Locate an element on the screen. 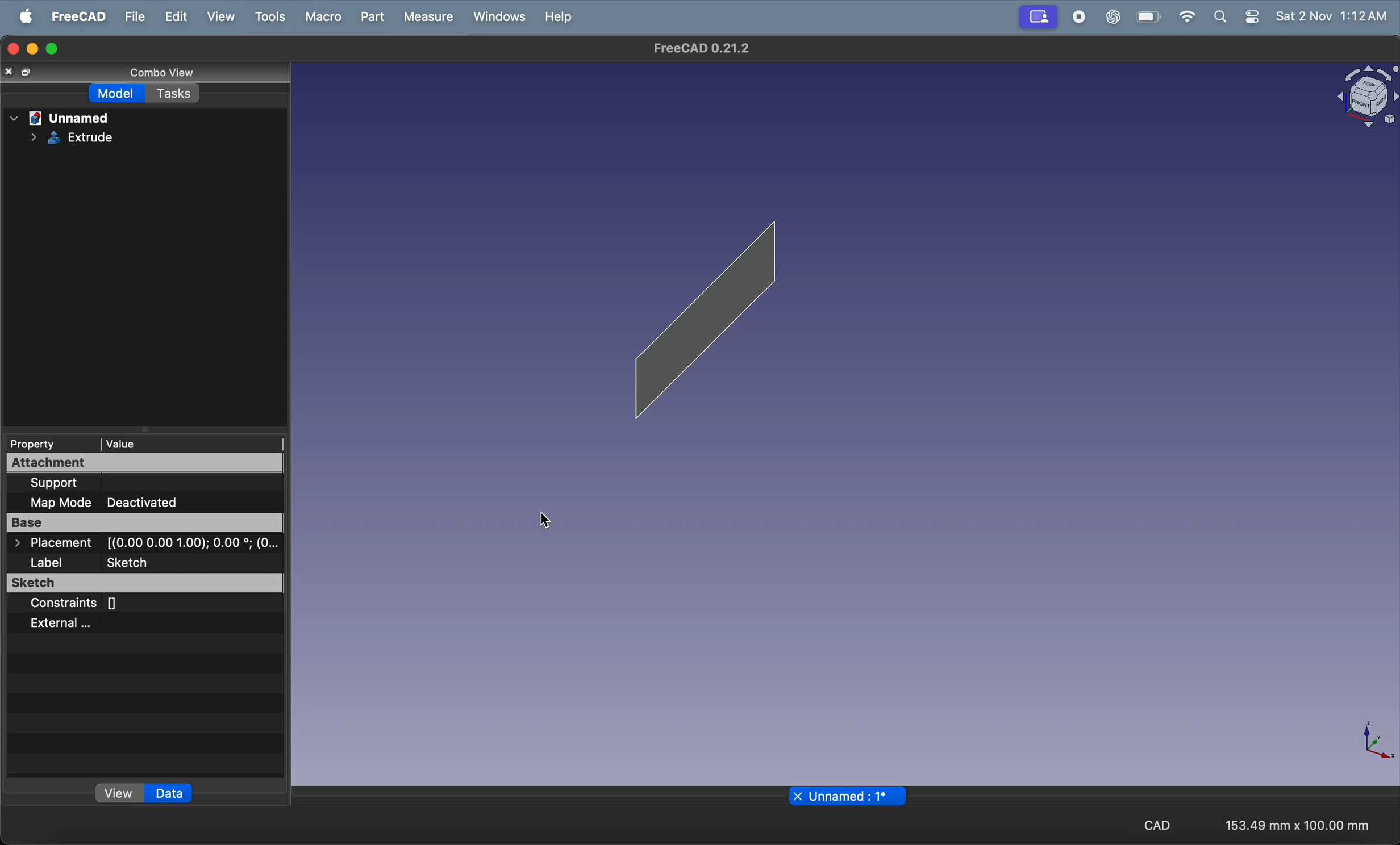 This screenshot has width=1400, height=845. wifi is located at coordinates (1187, 18).